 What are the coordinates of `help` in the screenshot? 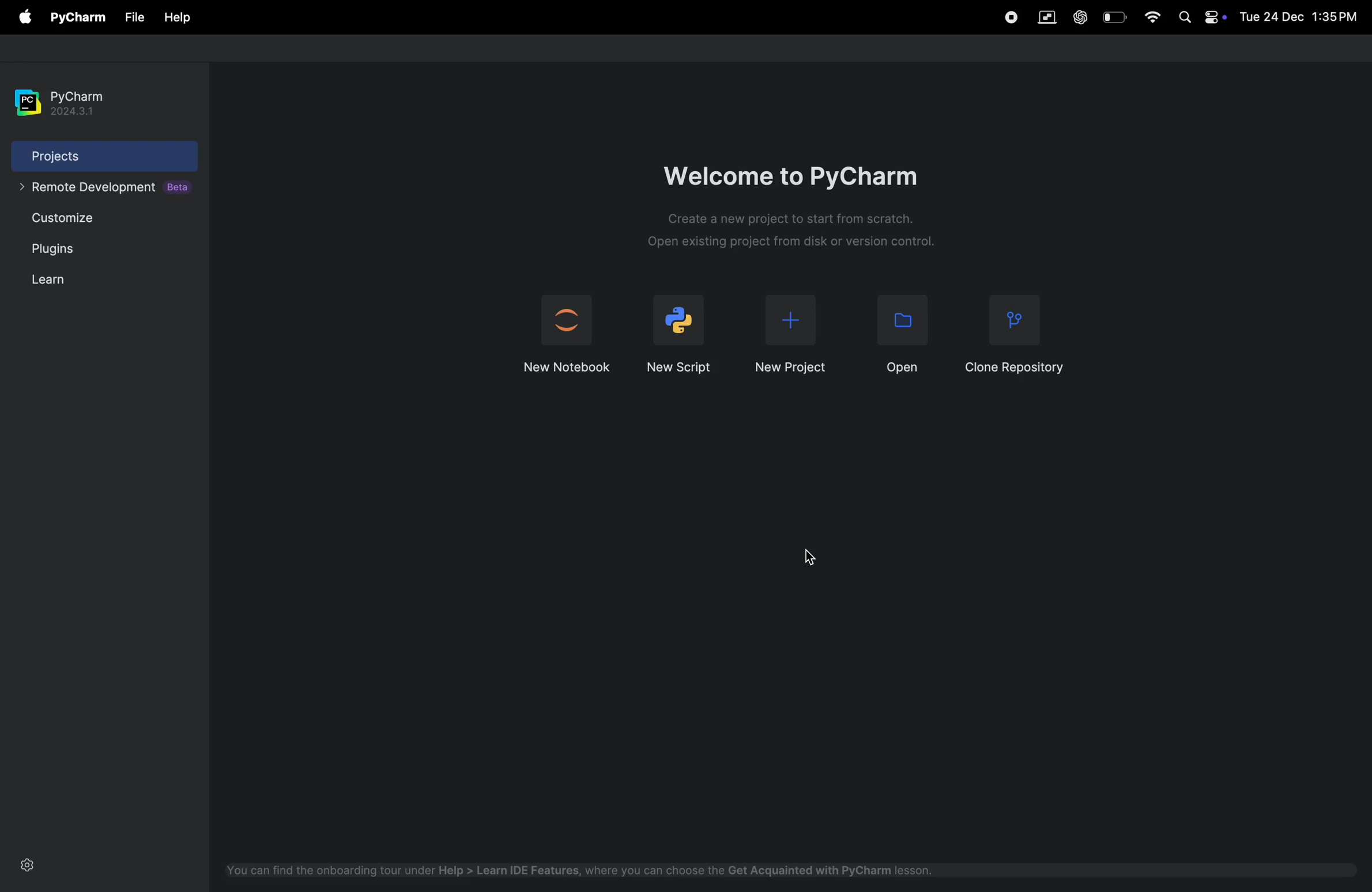 It's located at (178, 18).